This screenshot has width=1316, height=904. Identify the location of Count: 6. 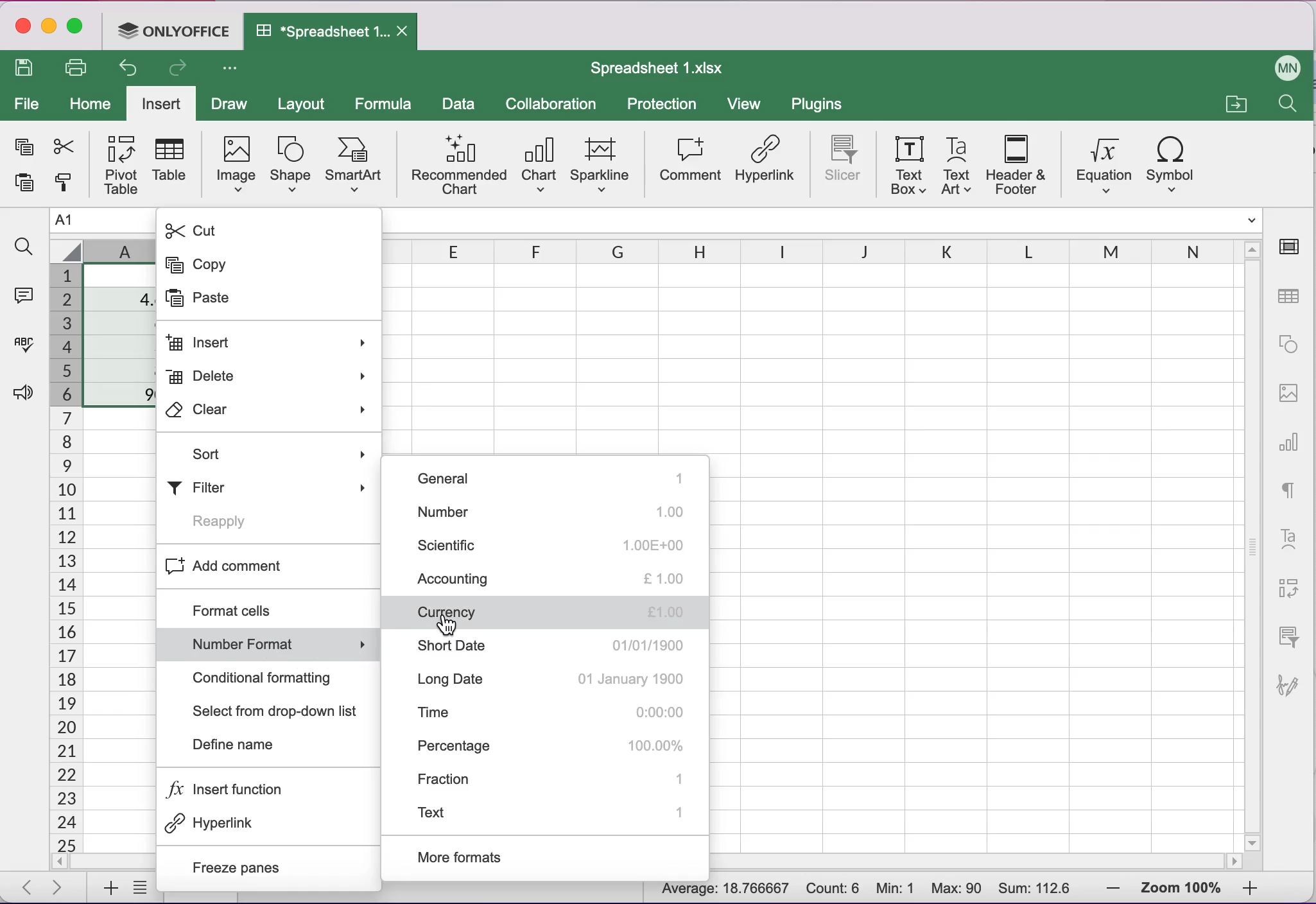
(833, 889).